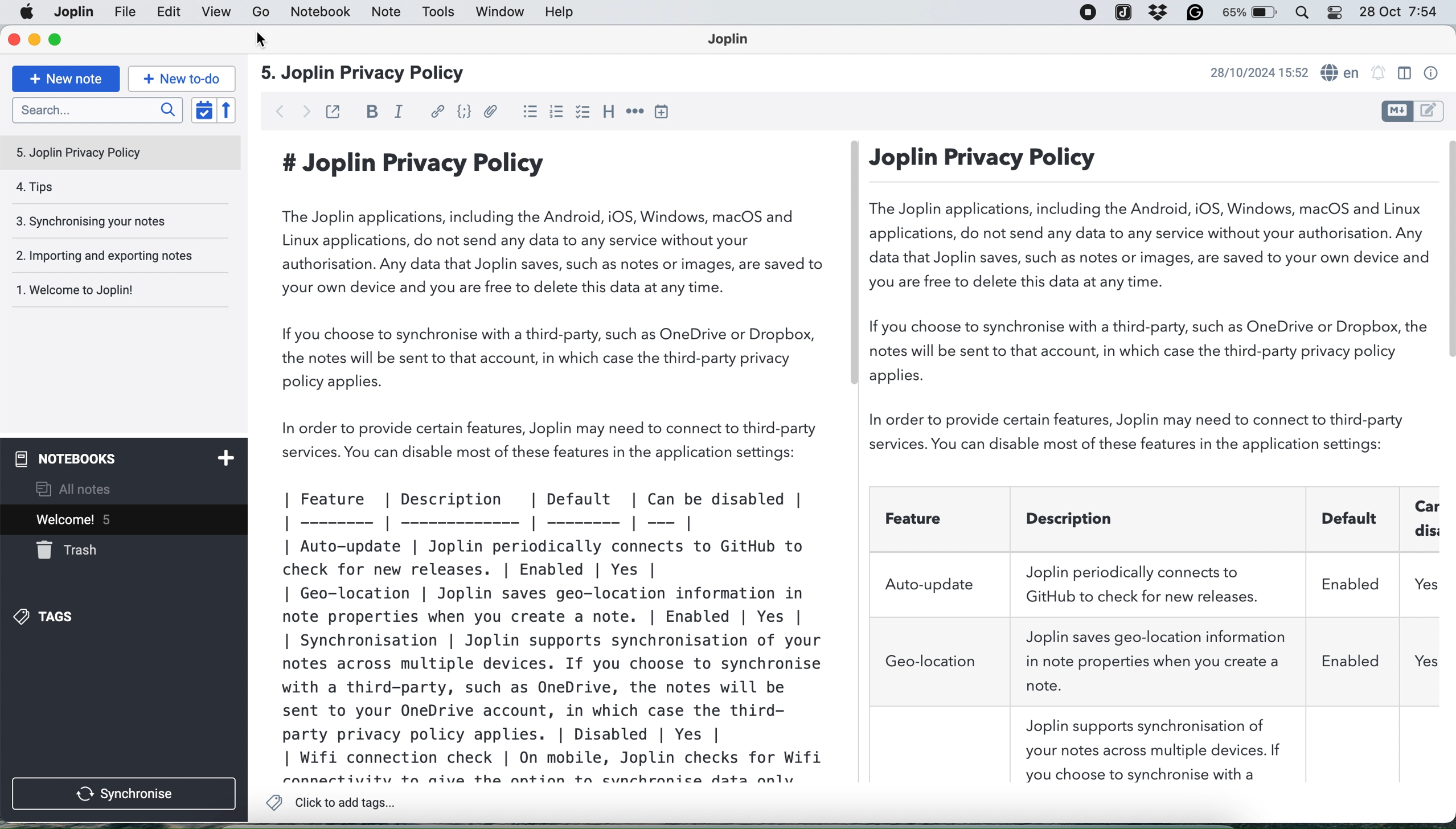 The image size is (1456, 829). What do you see at coordinates (49, 616) in the screenshot?
I see `tags` at bounding box center [49, 616].